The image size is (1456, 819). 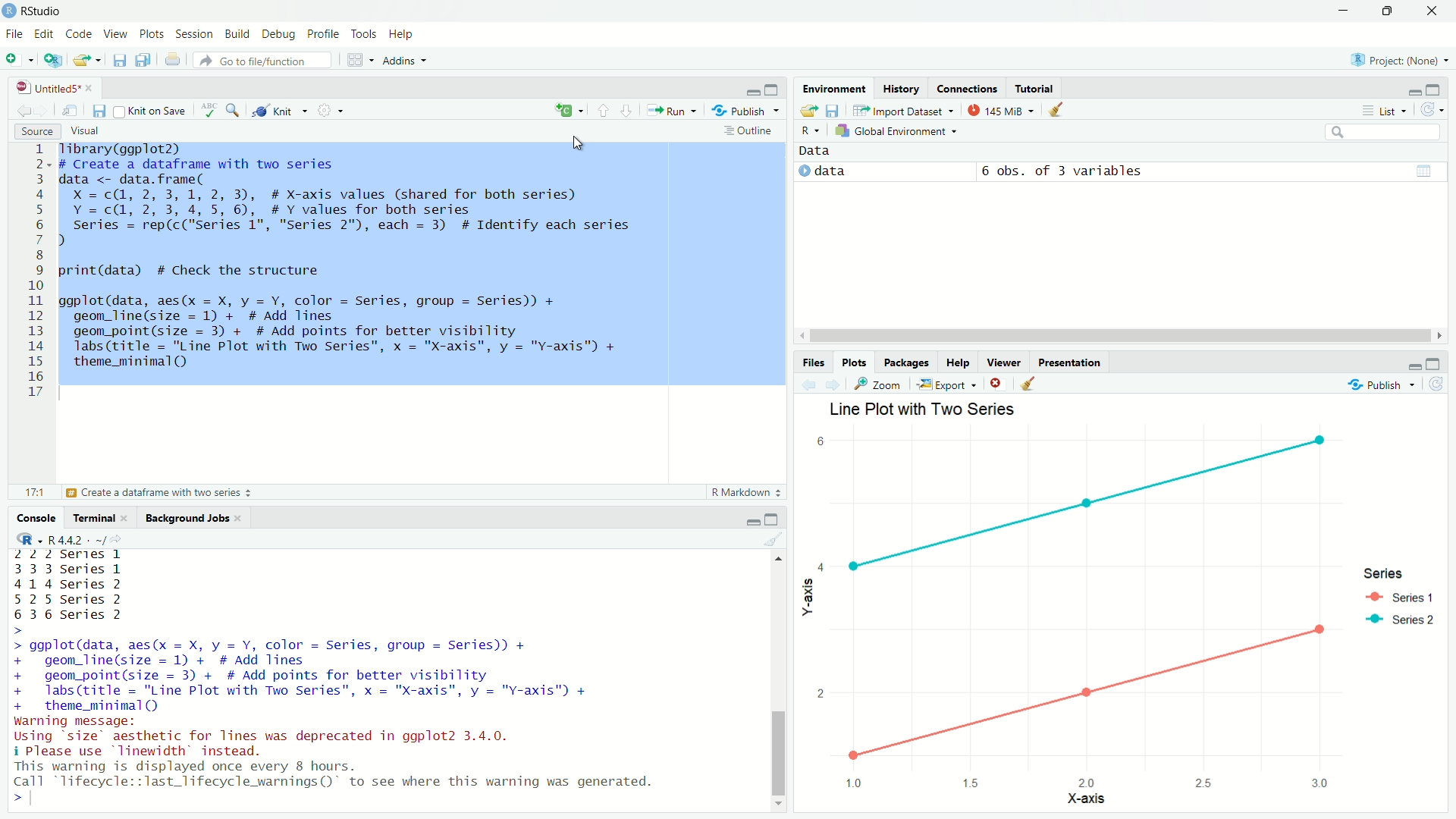 I want to click on View, so click(x=117, y=36).